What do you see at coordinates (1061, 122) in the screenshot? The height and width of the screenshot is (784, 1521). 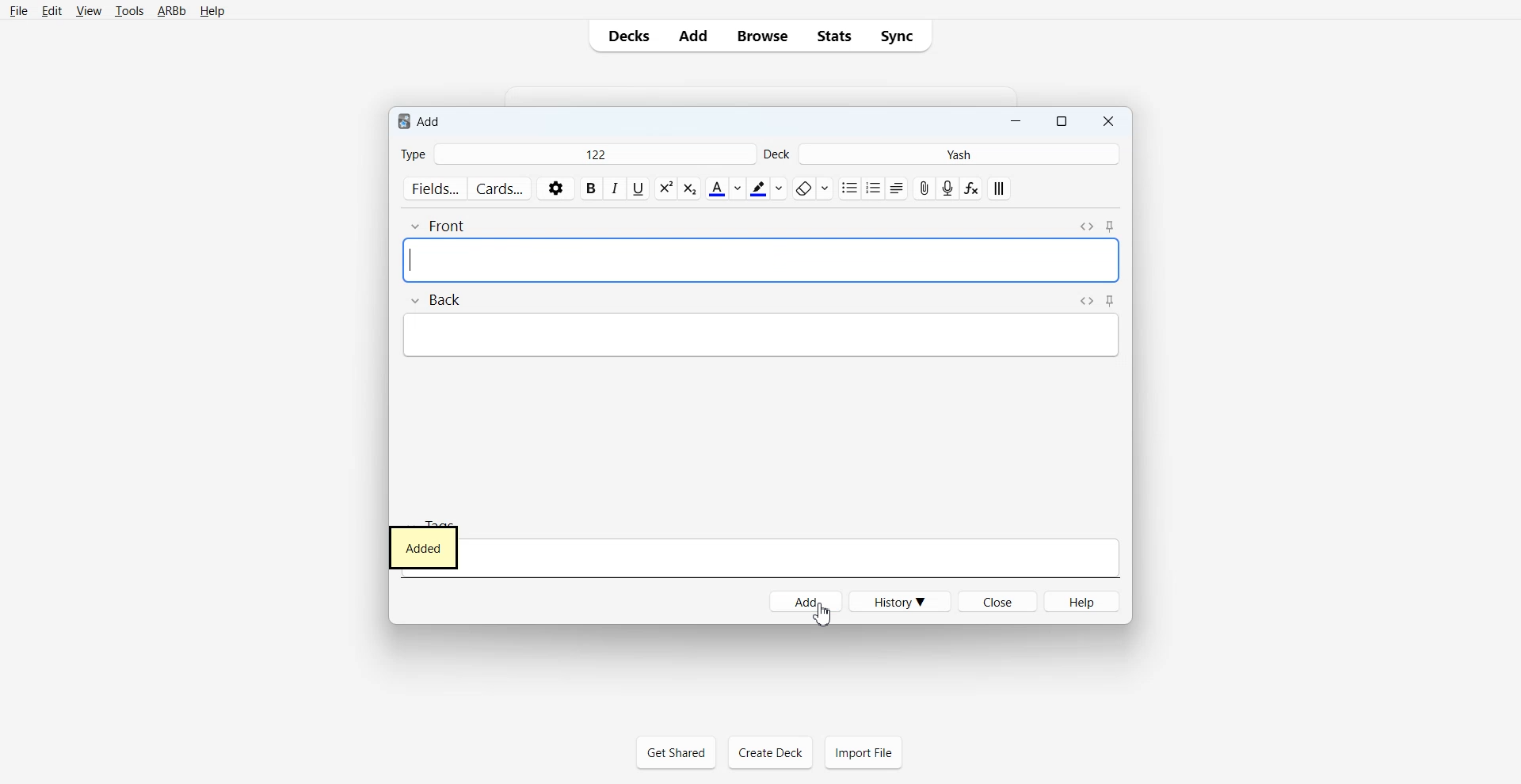 I see `Maximize` at bounding box center [1061, 122].